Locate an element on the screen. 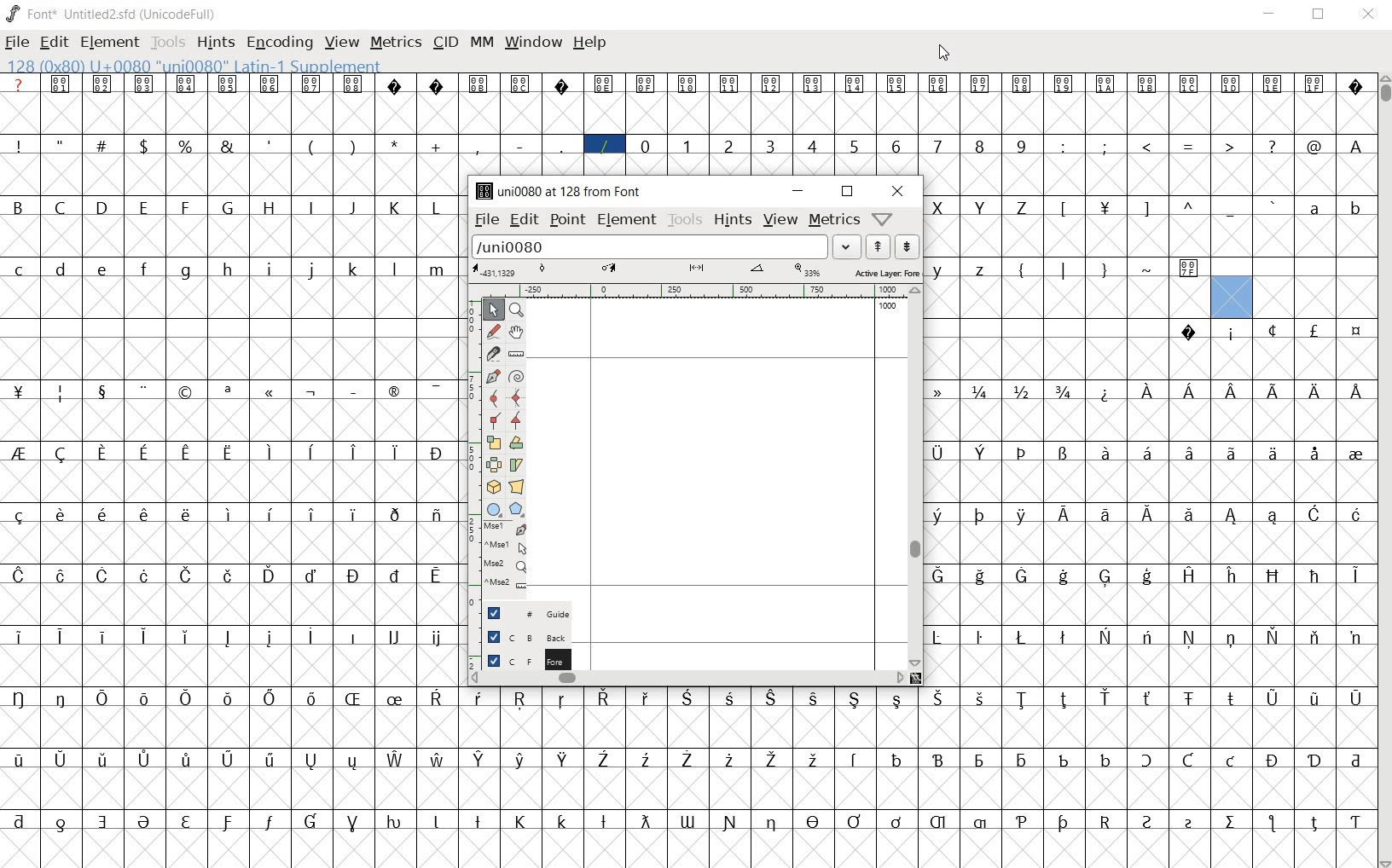 The image size is (1392, 868). glyph is located at coordinates (603, 759).